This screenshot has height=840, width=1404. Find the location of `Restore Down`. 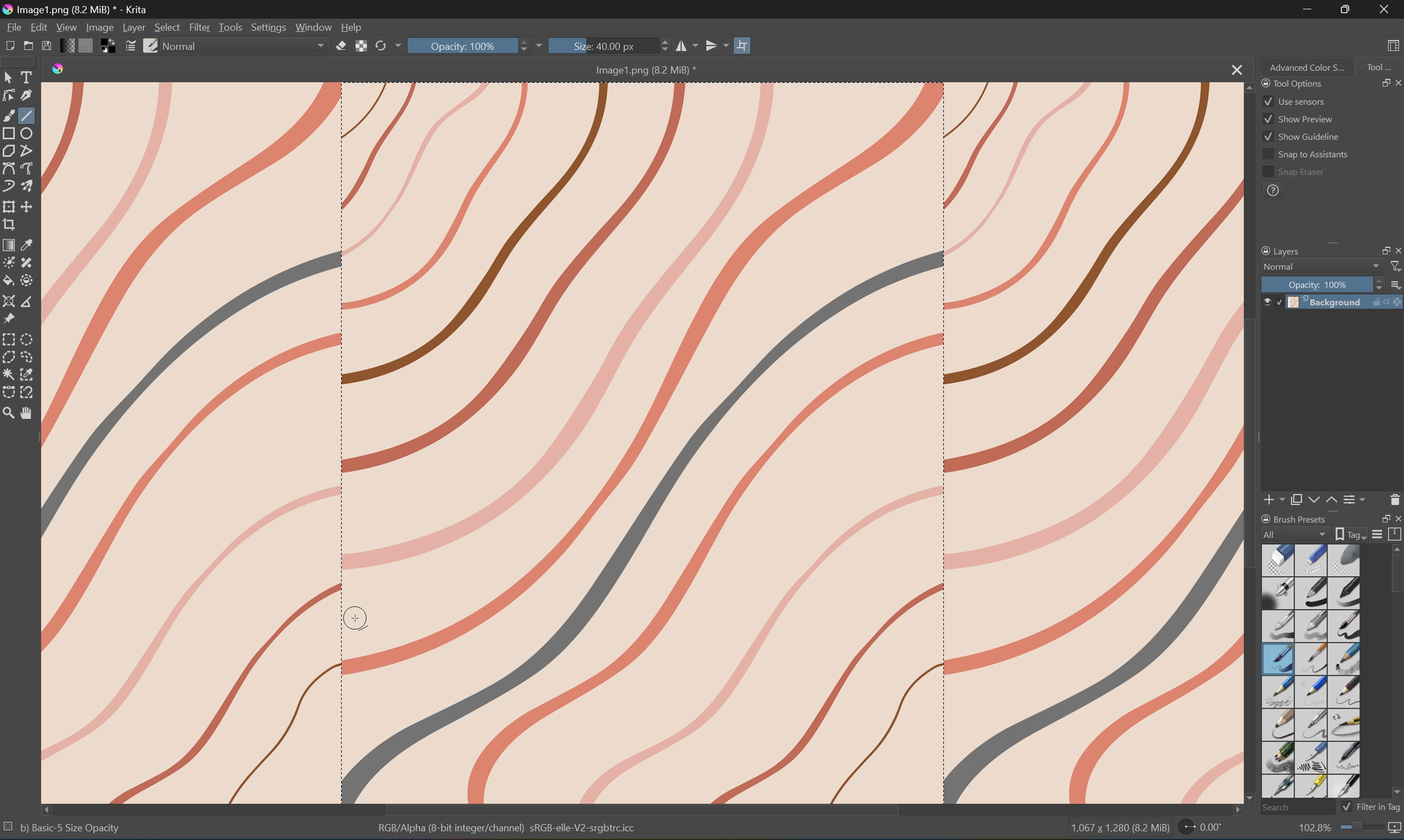

Restore Down is located at coordinates (1380, 518).